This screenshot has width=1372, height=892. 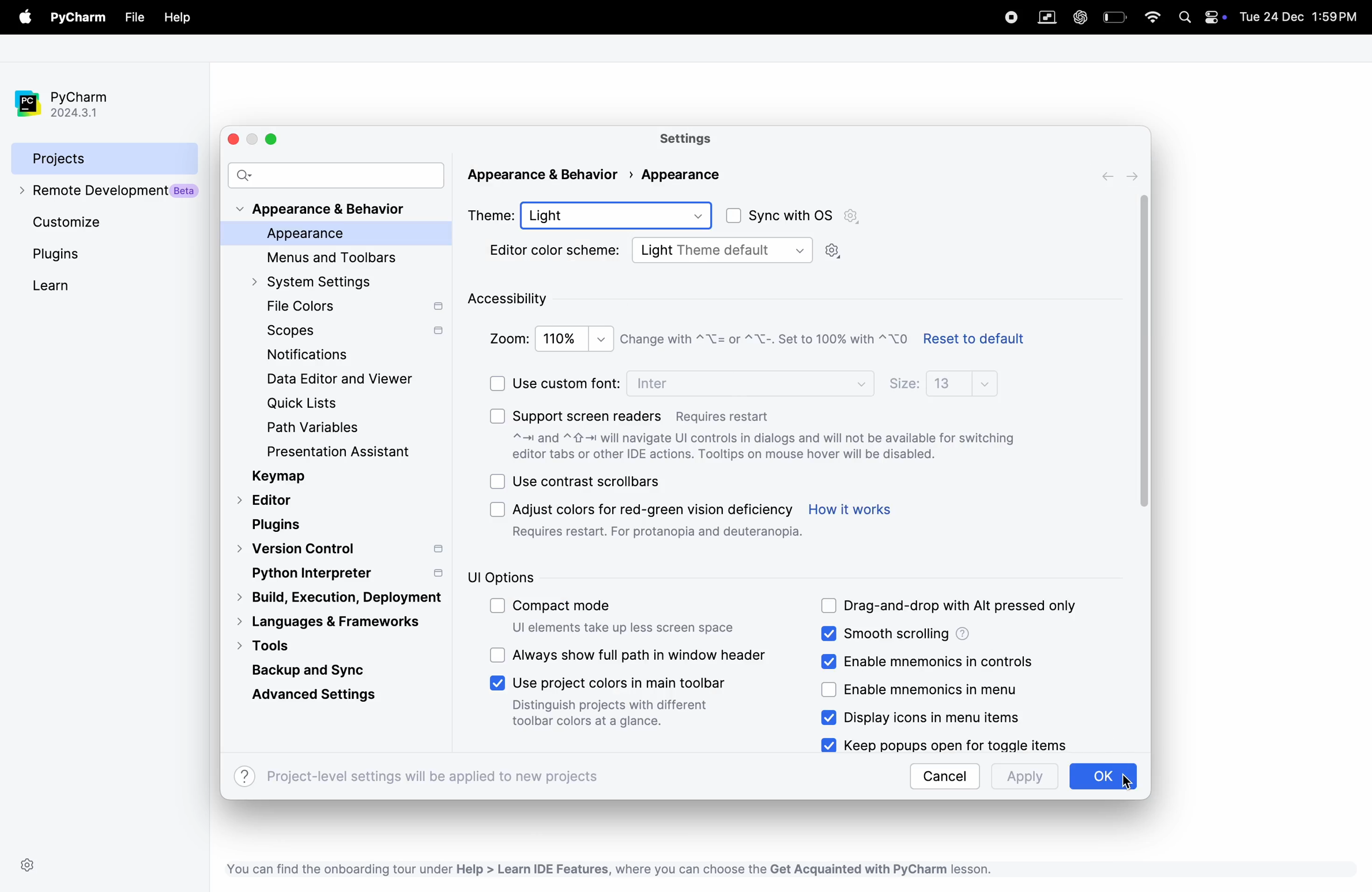 What do you see at coordinates (104, 195) in the screenshot?
I see `remote developement` at bounding box center [104, 195].